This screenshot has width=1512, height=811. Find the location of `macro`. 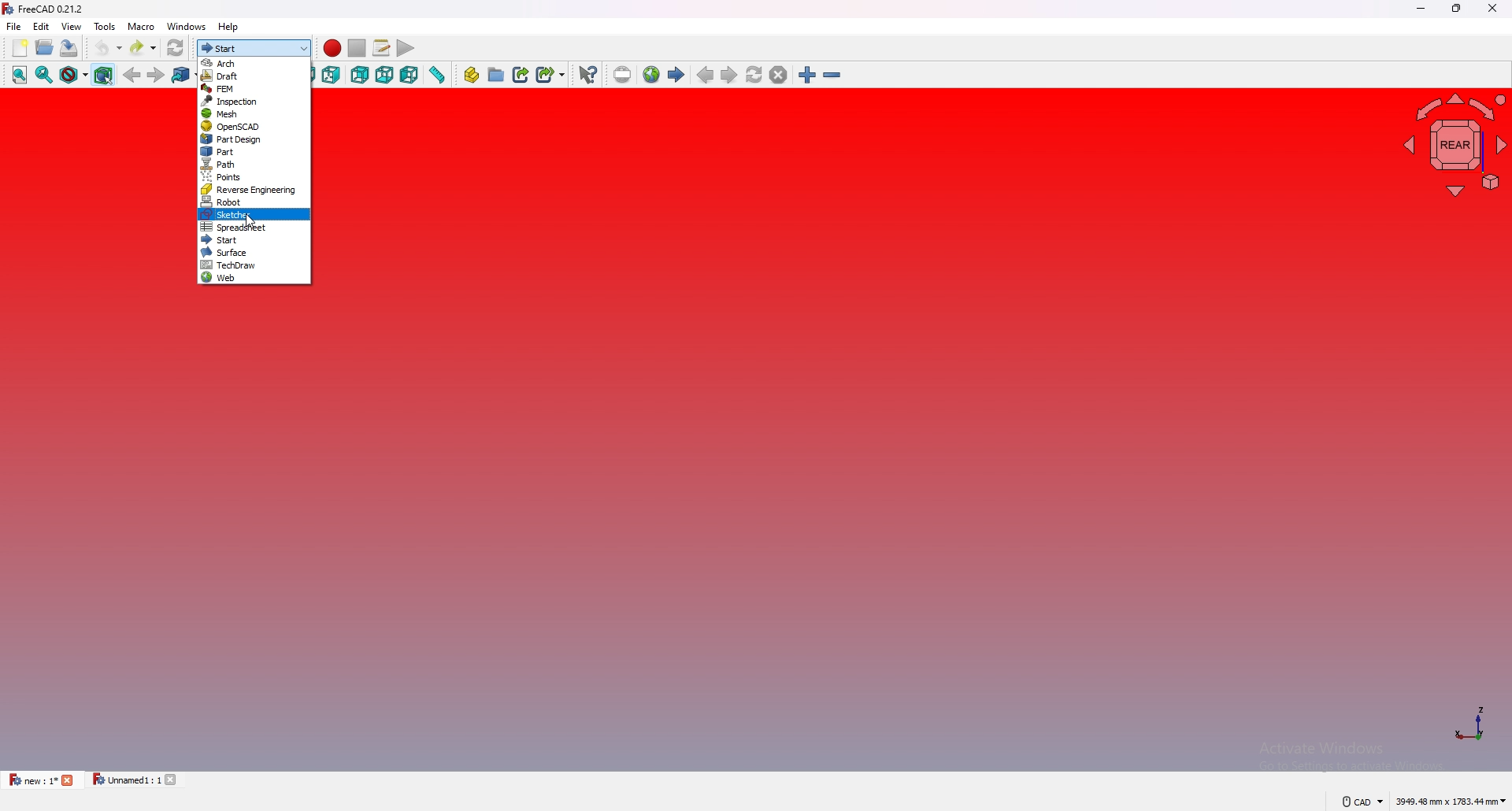

macro is located at coordinates (141, 25).